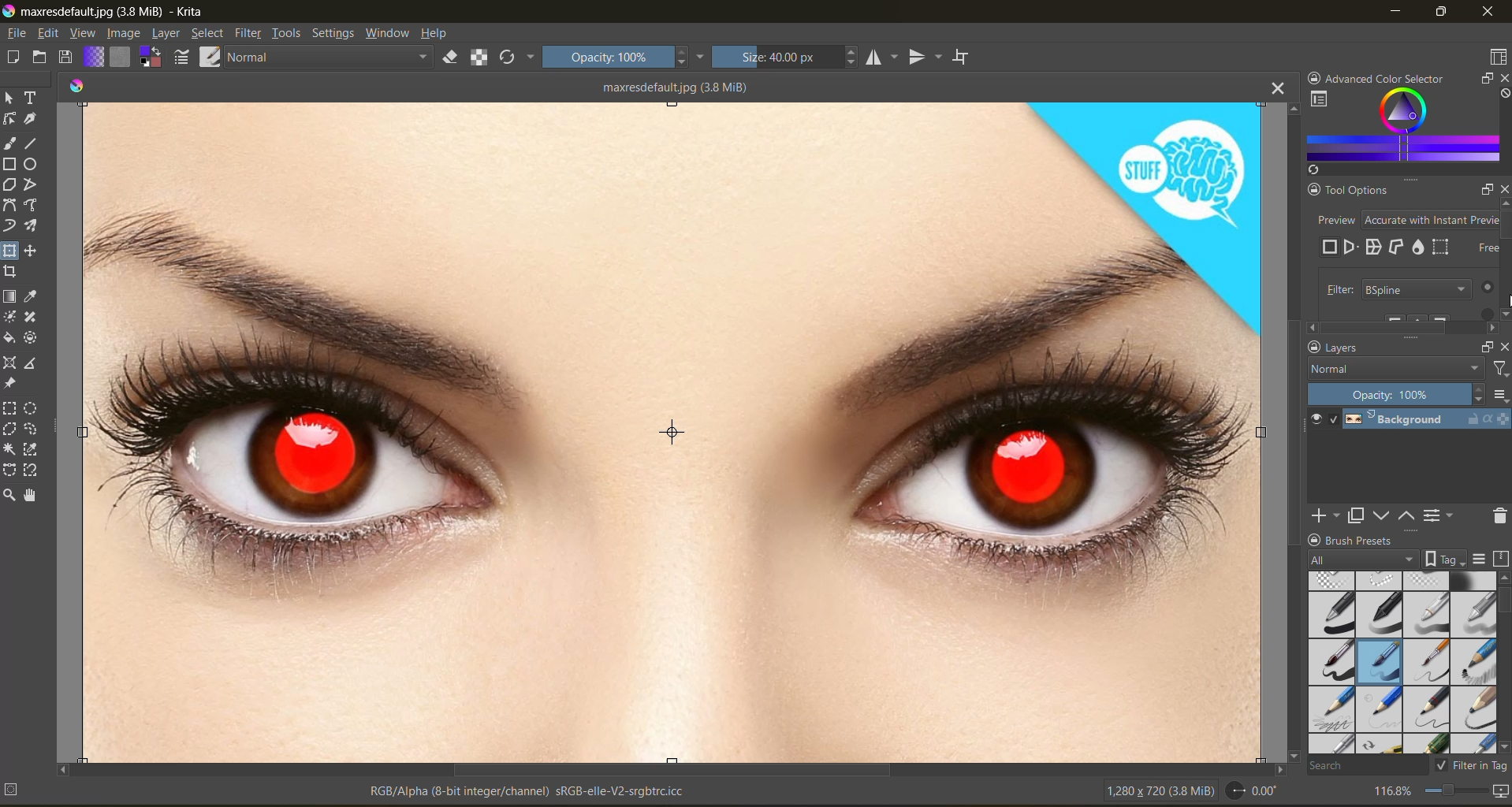 The image size is (1512, 807). What do you see at coordinates (13, 272) in the screenshot?
I see `tool` at bounding box center [13, 272].